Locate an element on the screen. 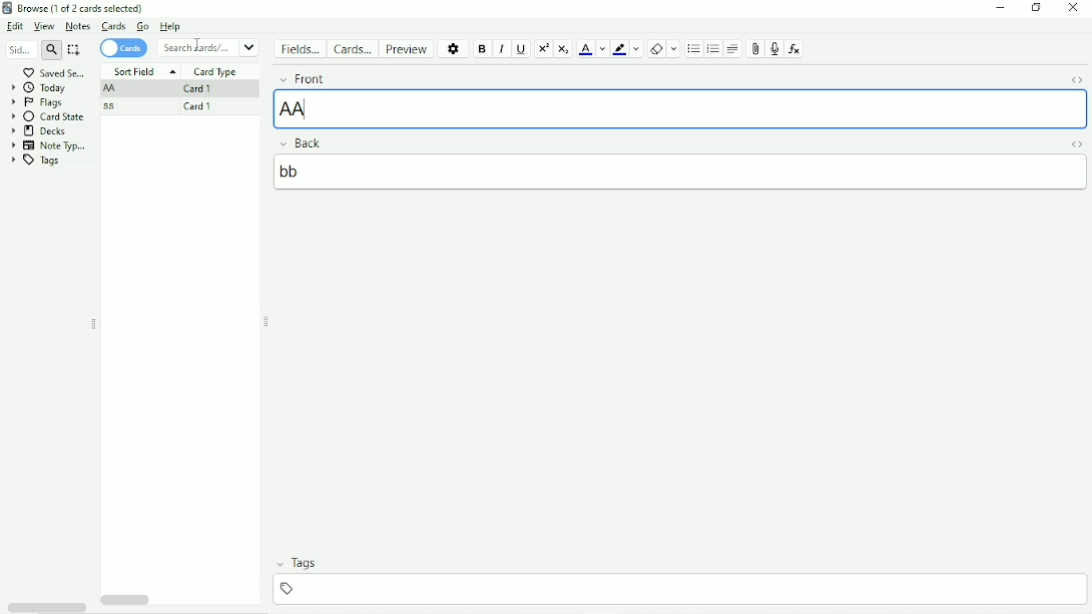 The width and height of the screenshot is (1092, 614). Cards is located at coordinates (112, 26).